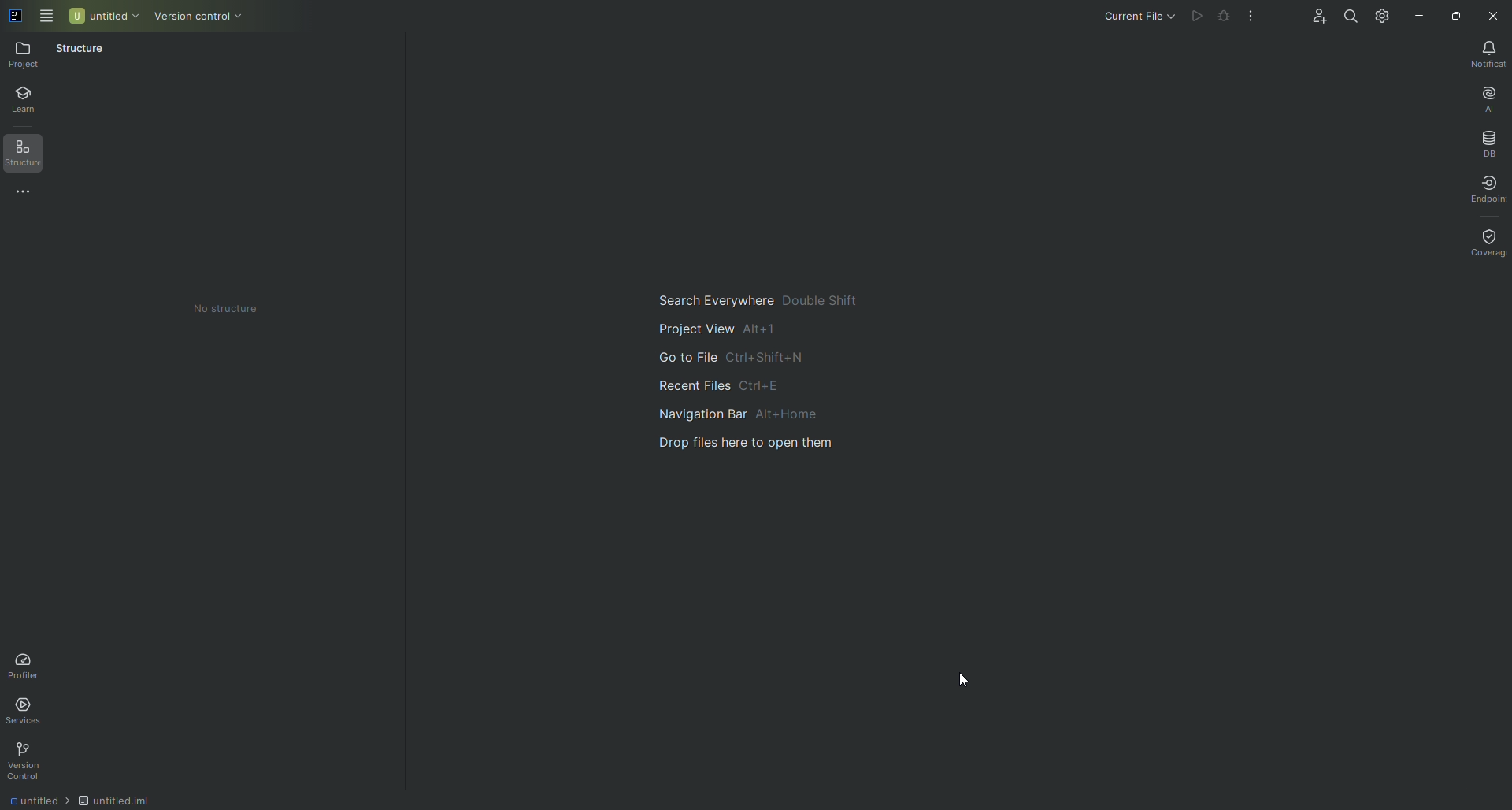 The image size is (1512, 810). I want to click on Version Control, so click(212, 17).